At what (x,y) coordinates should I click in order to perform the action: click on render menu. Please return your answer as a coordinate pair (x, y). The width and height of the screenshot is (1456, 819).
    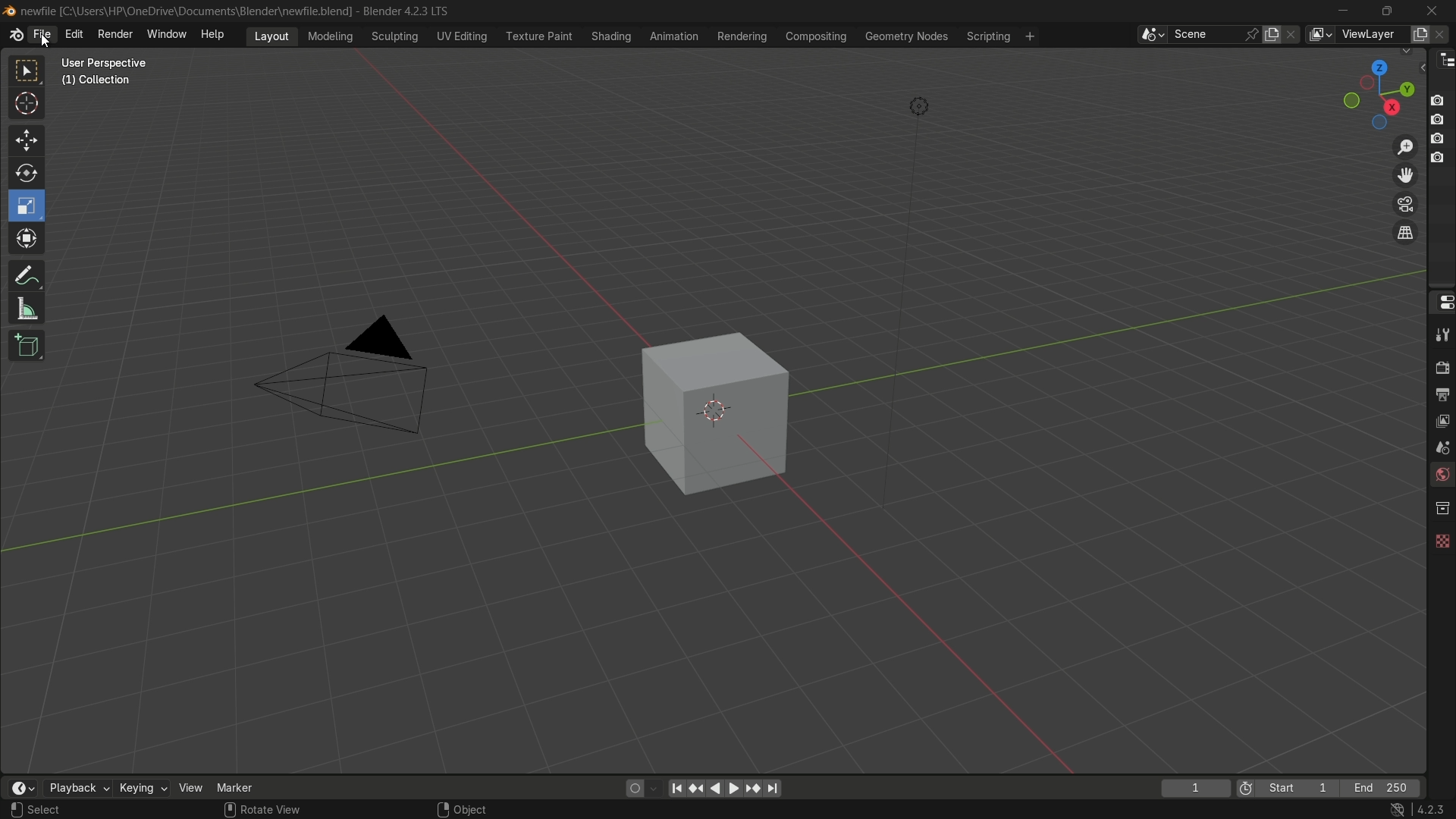
    Looking at the image, I should click on (115, 33).